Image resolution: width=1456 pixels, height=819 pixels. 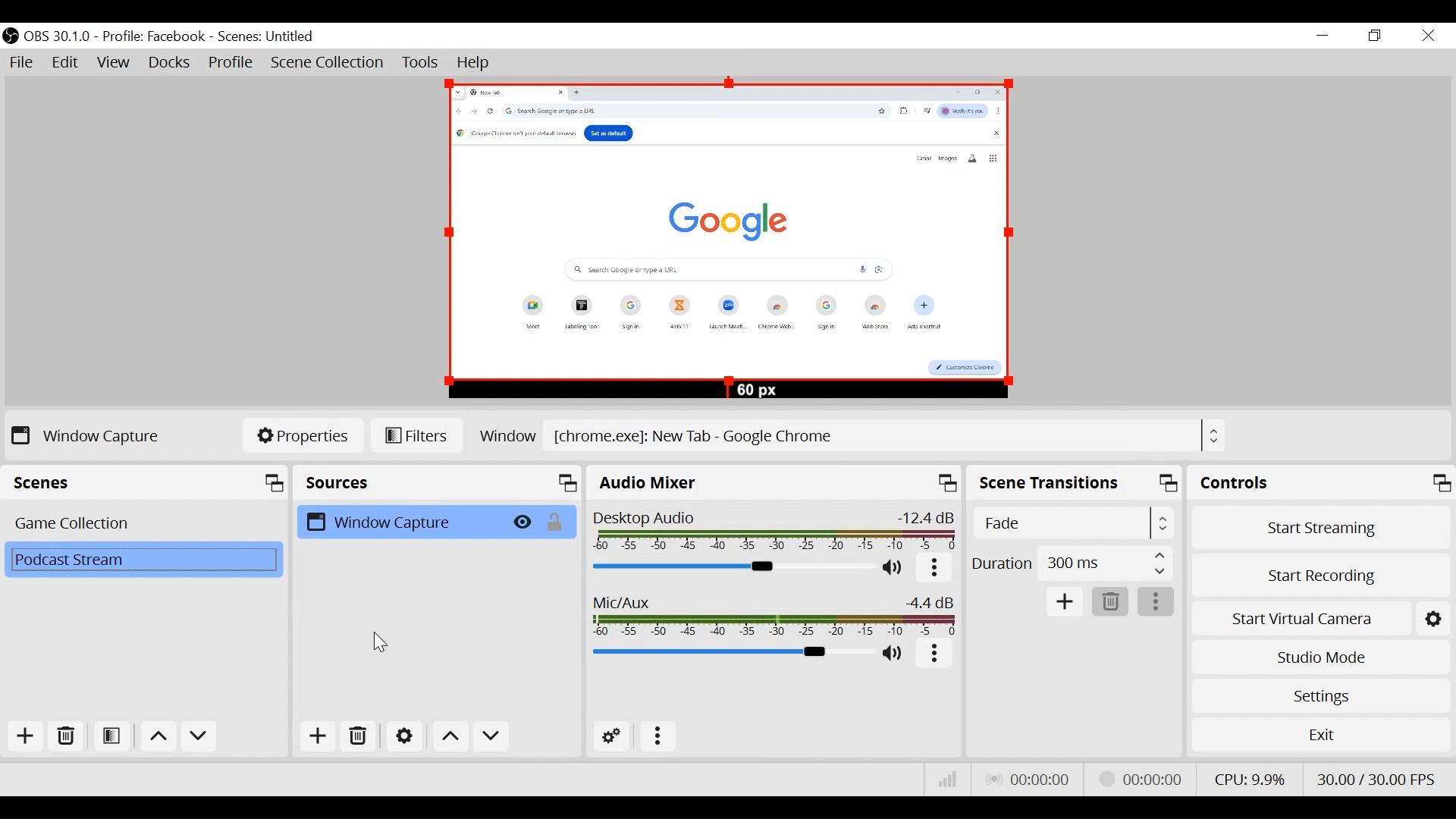 I want to click on Start Virtual Camera, so click(x=1318, y=618).